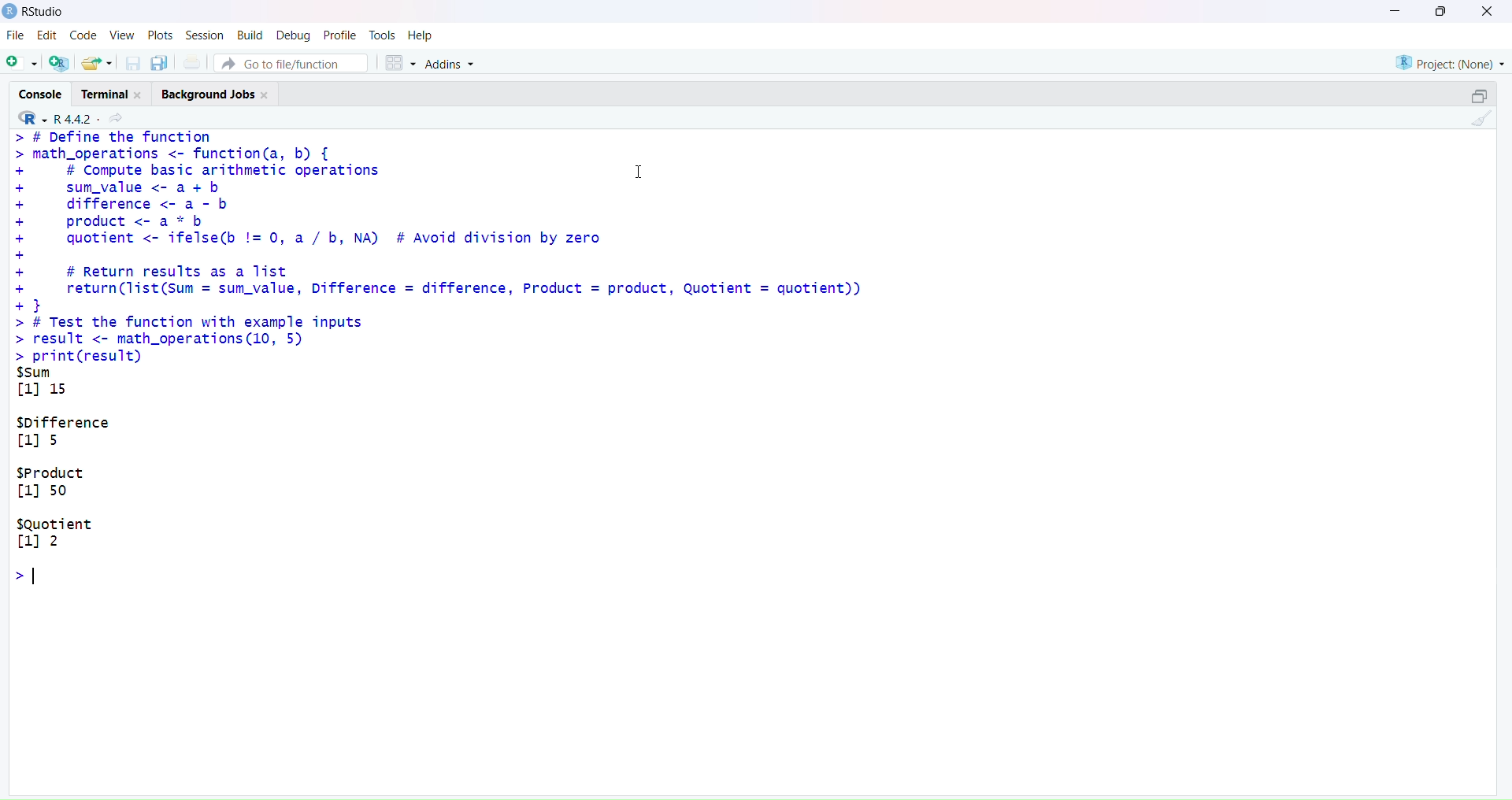  What do you see at coordinates (81, 37) in the screenshot?
I see `Code` at bounding box center [81, 37].